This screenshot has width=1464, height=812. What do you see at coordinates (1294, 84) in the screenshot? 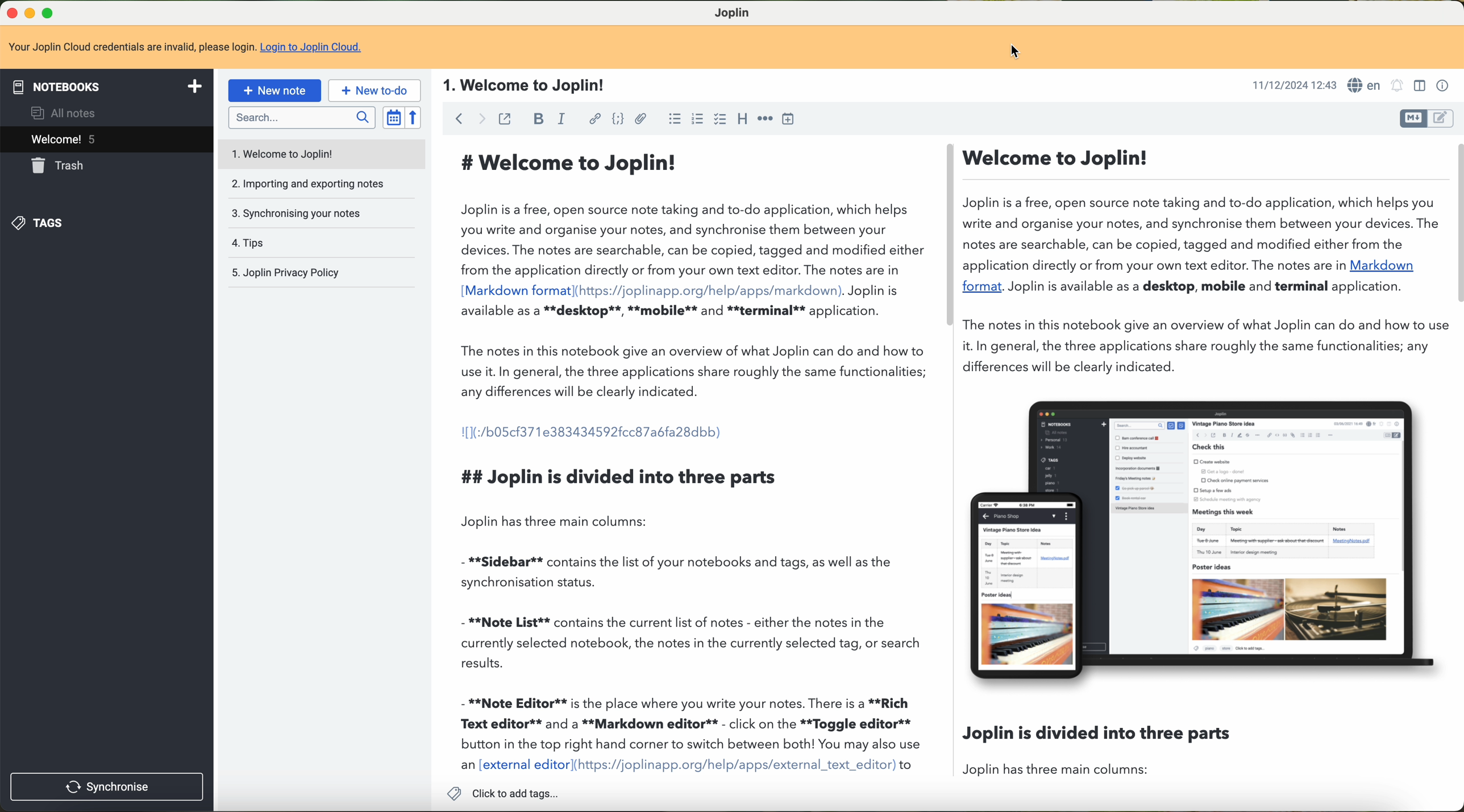
I see `11/12/2024 12:43` at bounding box center [1294, 84].